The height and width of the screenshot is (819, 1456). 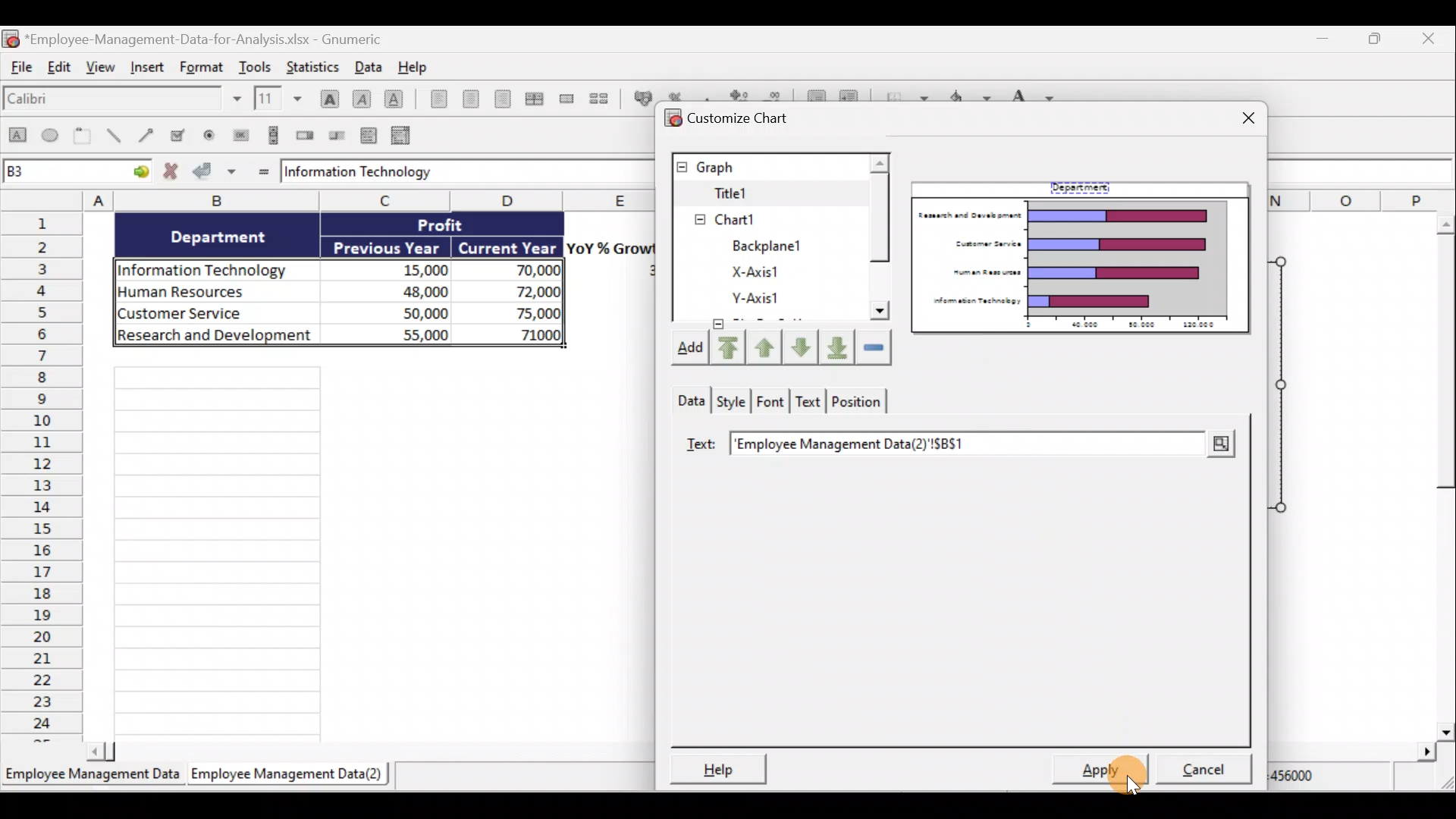 I want to click on Font size, so click(x=283, y=99).